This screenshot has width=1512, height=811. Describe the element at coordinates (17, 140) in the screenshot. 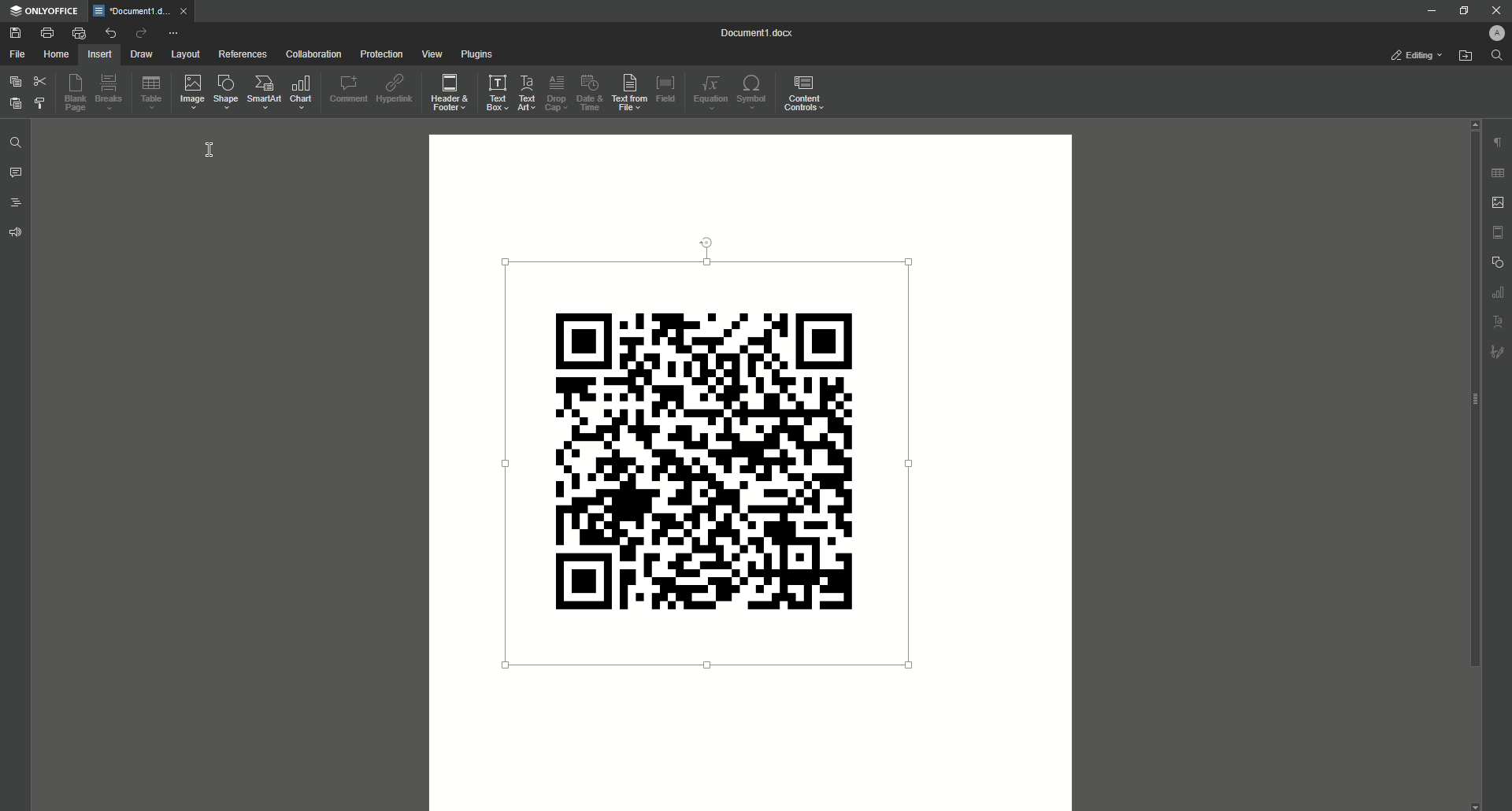

I see `Find` at that location.